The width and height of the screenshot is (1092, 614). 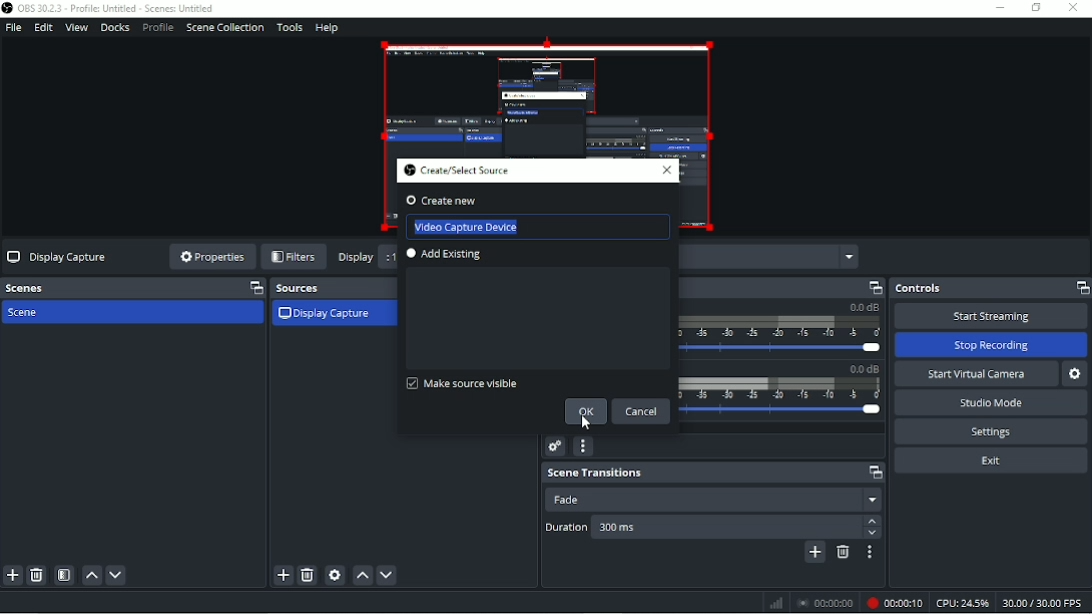 I want to click on View, so click(x=75, y=27).